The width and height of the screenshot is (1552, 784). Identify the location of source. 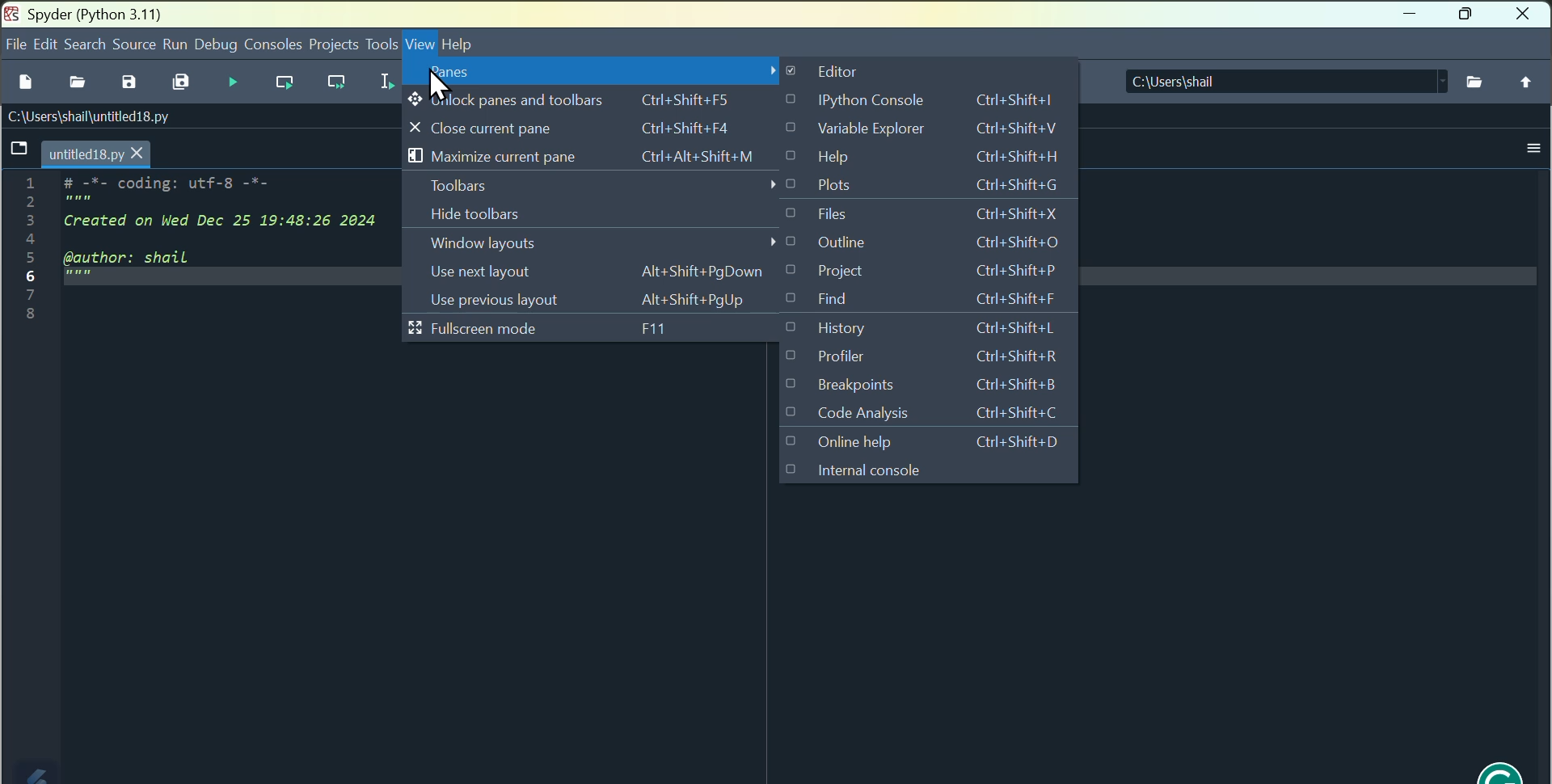
(131, 43).